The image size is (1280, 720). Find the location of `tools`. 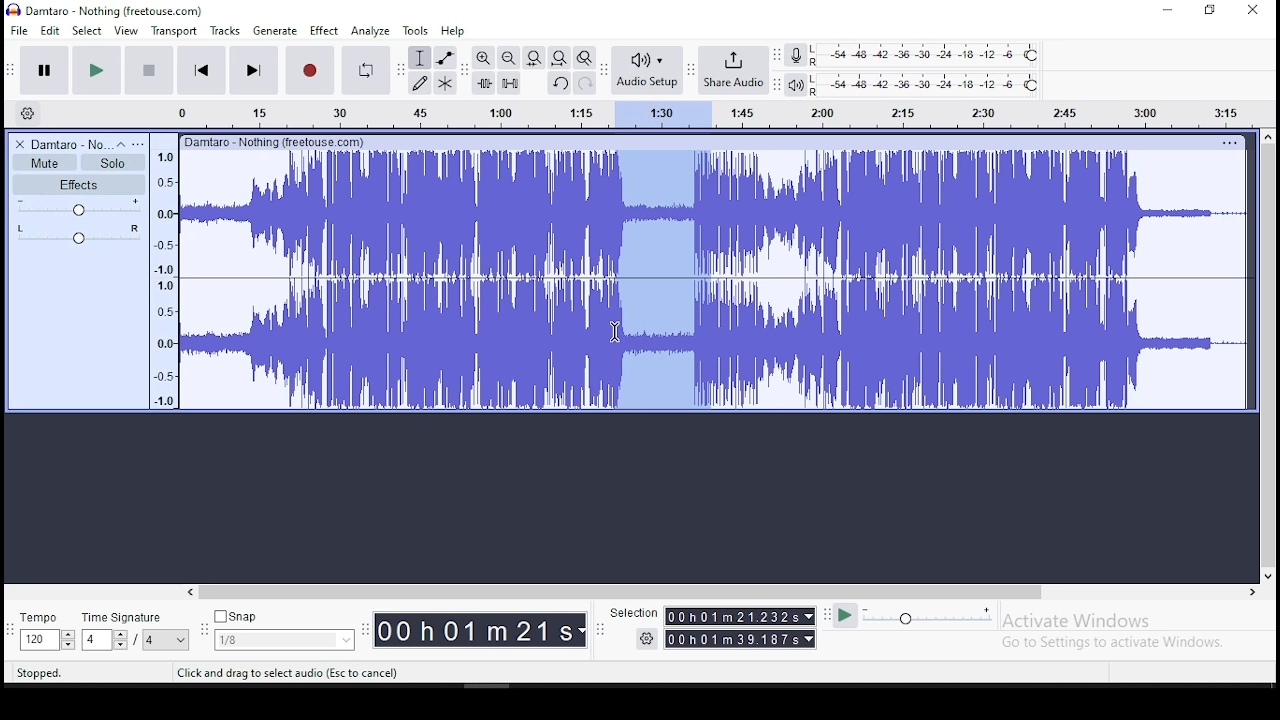

tools is located at coordinates (416, 30).